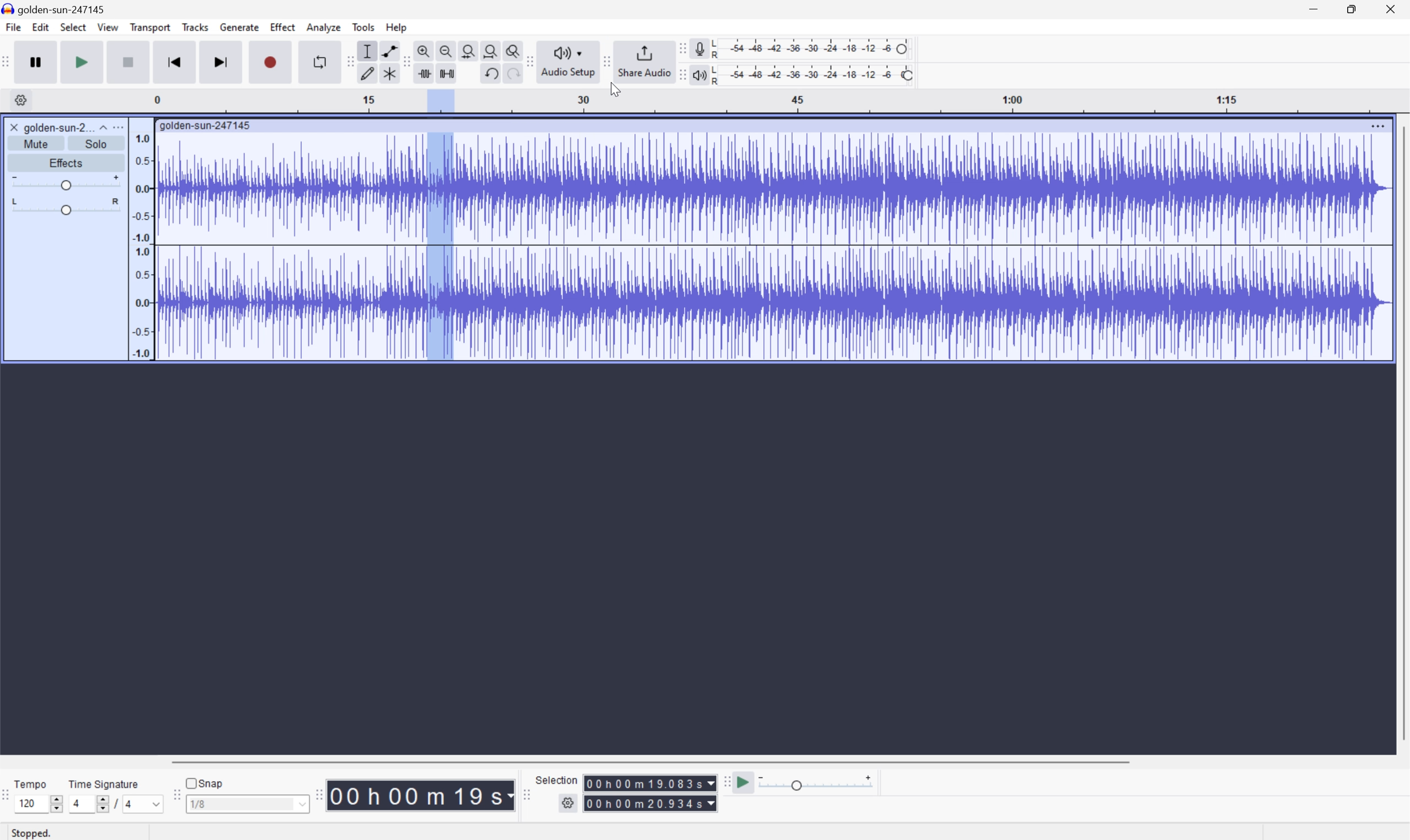 The width and height of the screenshot is (1410, 840). Describe the element at coordinates (745, 783) in the screenshot. I see `Play st speed` at that location.